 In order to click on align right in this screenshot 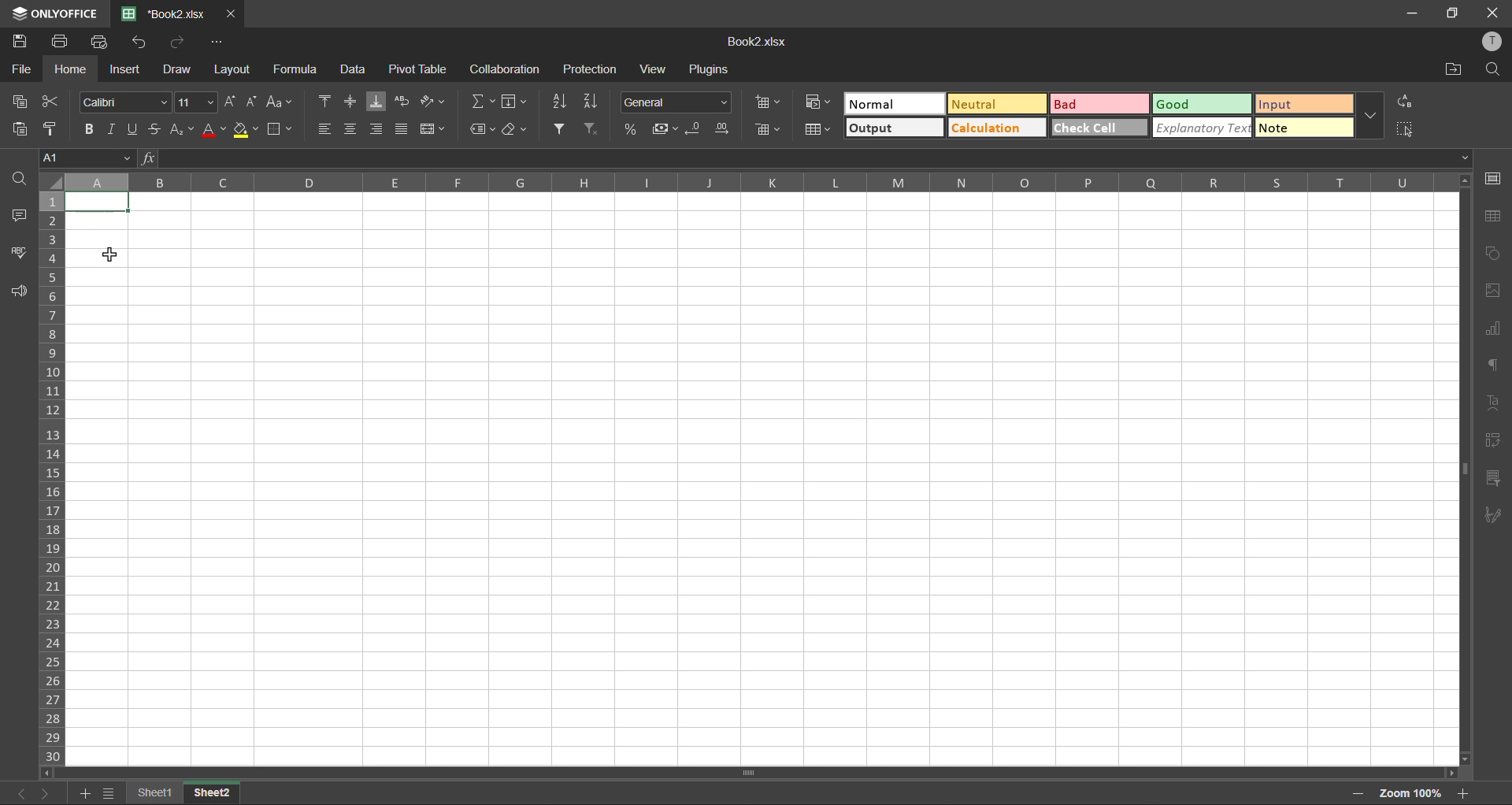, I will do `click(376, 128)`.